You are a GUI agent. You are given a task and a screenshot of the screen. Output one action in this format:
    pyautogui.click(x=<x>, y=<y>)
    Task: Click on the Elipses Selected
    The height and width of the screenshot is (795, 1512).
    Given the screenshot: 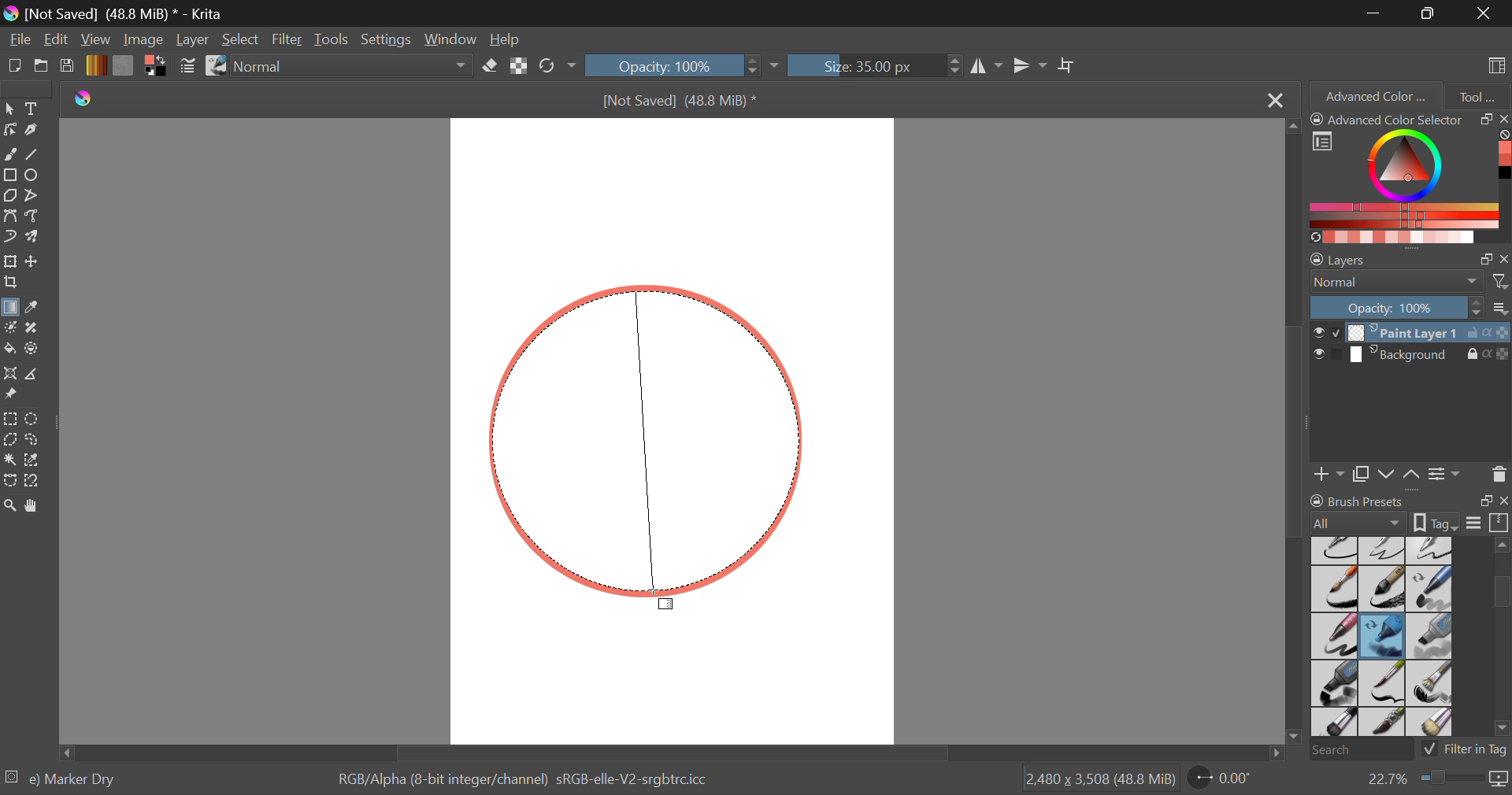 What is the action you would take?
    pyautogui.click(x=35, y=174)
    